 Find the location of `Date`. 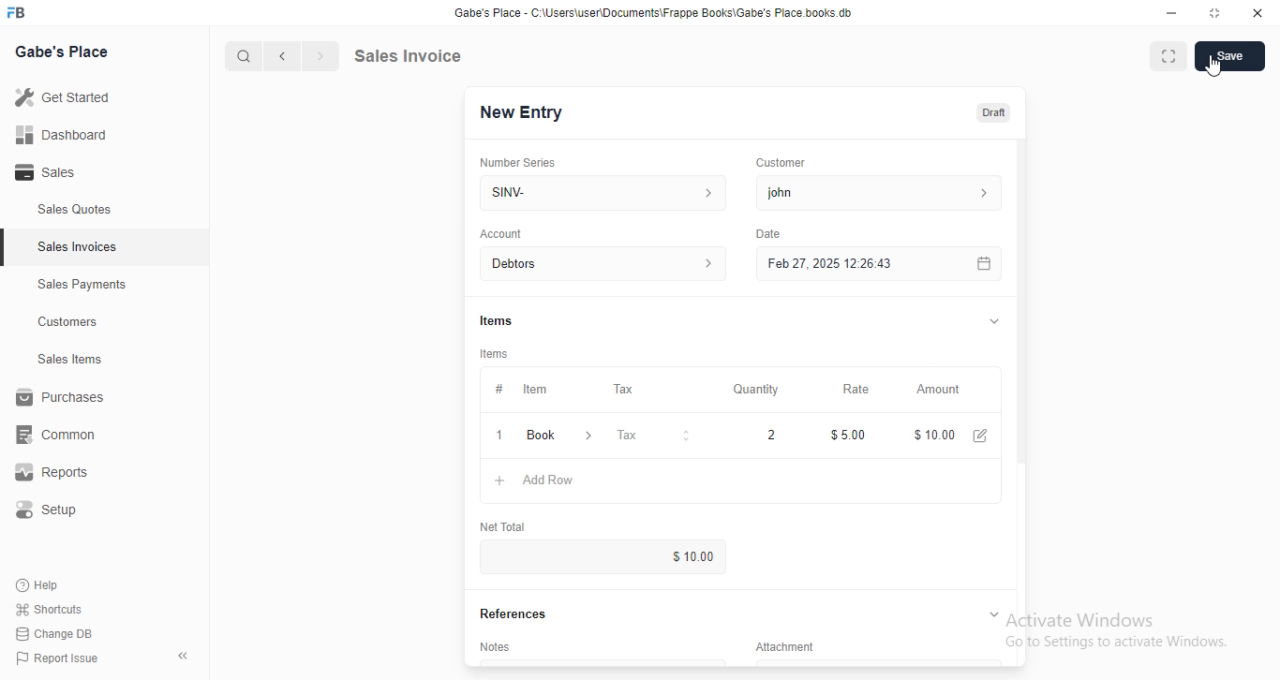

Date is located at coordinates (770, 232).